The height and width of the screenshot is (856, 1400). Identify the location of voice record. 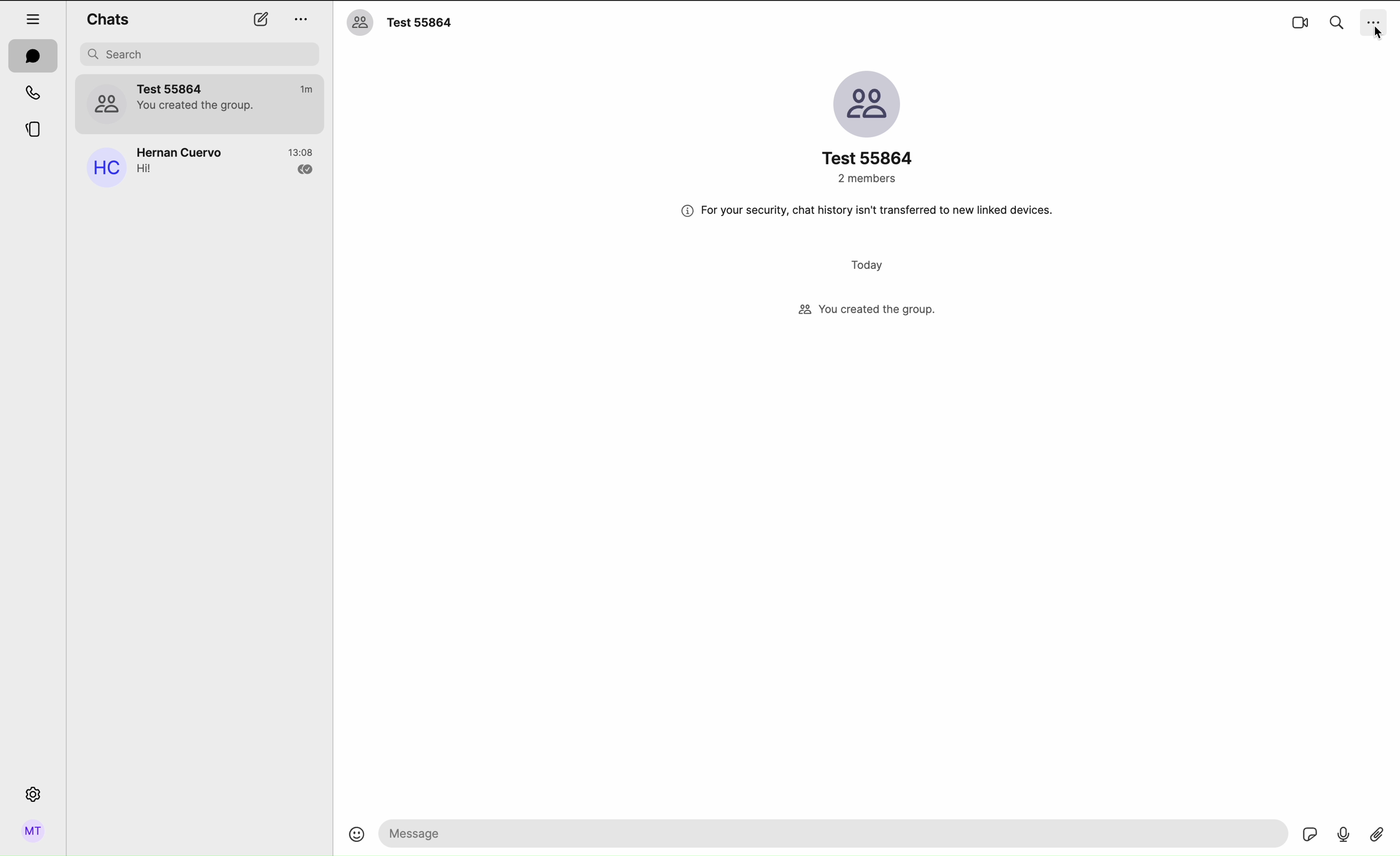
(1343, 835).